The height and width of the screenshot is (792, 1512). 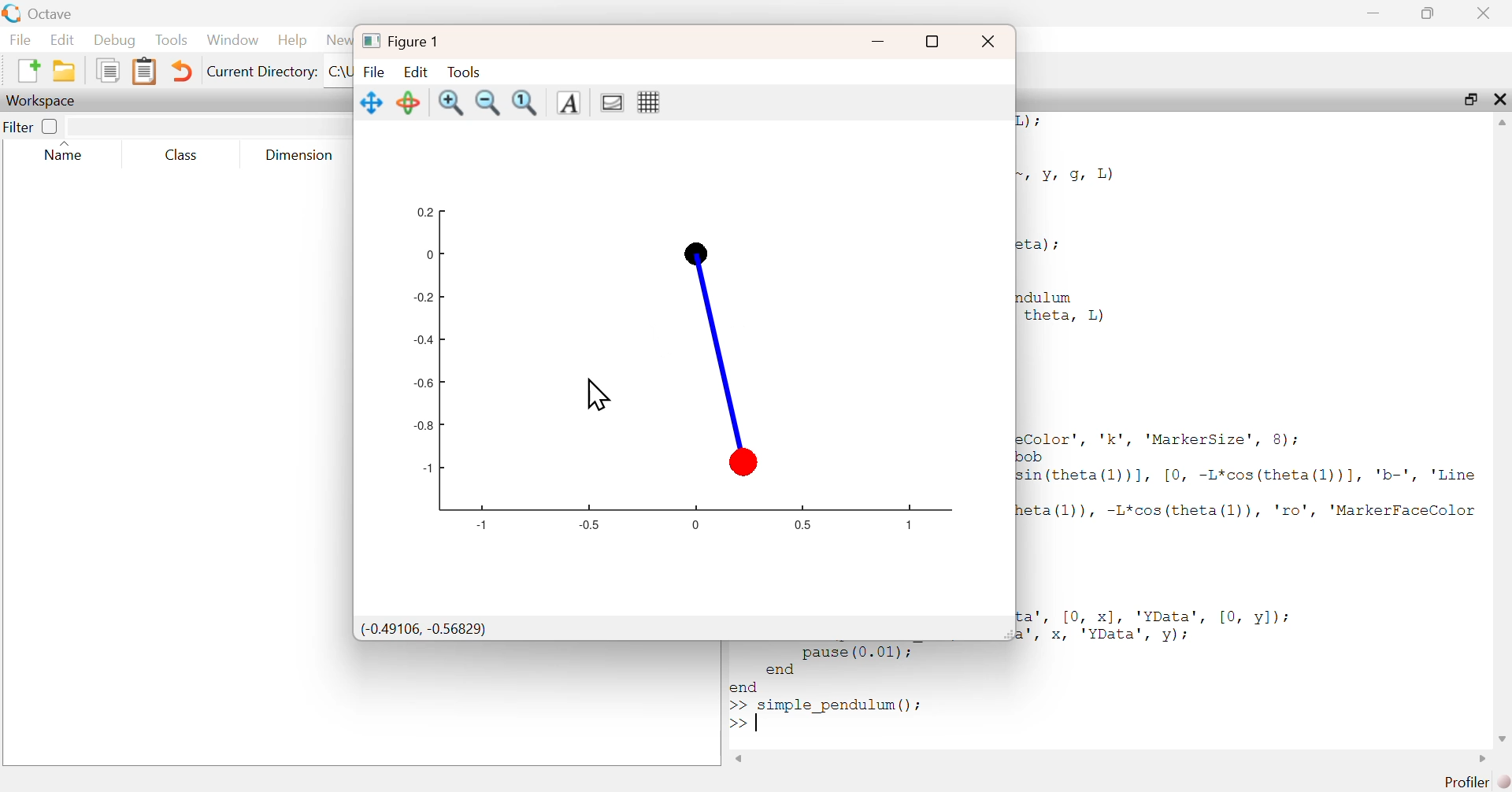 I want to click on Pan, so click(x=372, y=102).